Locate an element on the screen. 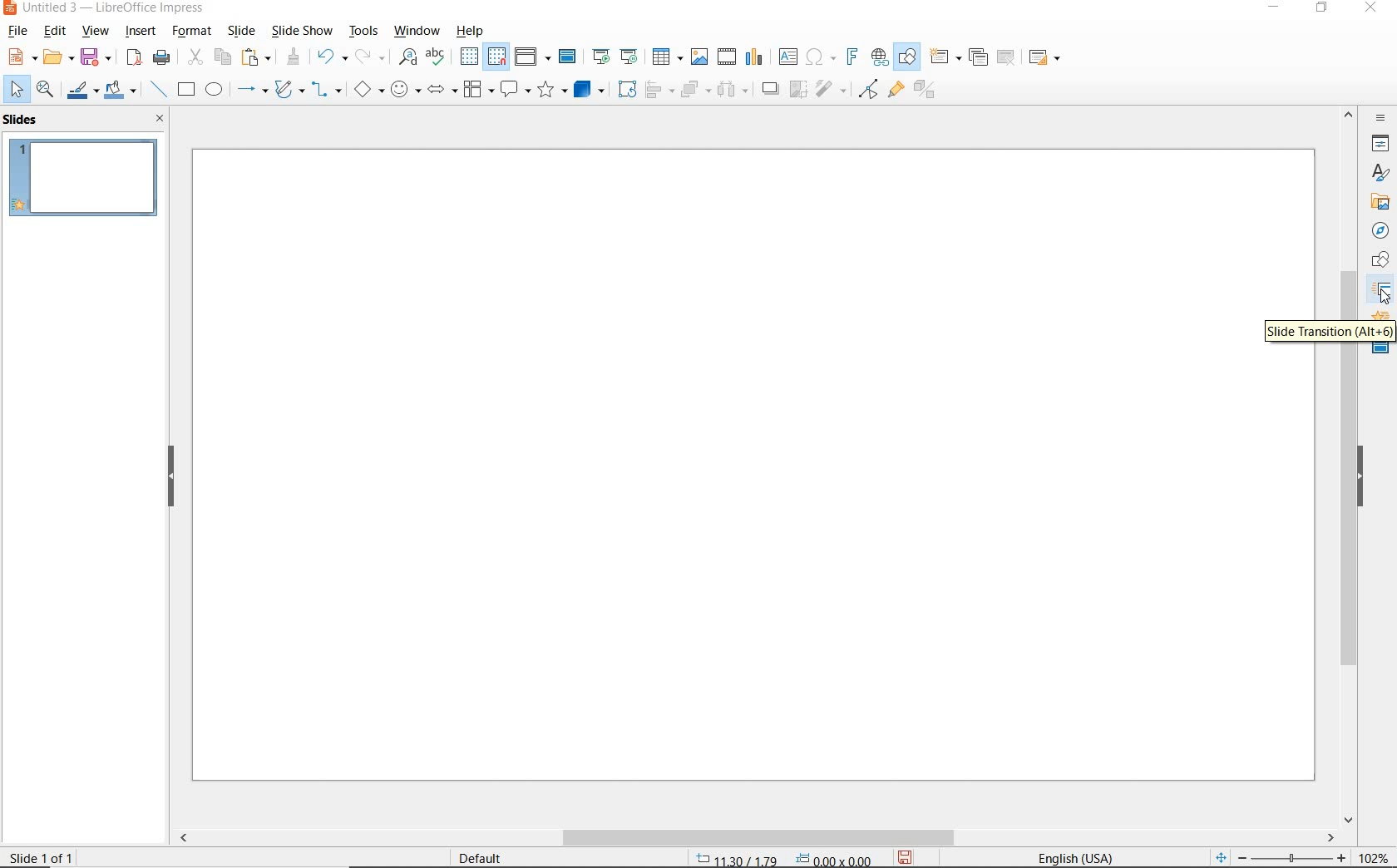  CLOSE is located at coordinates (1372, 10).